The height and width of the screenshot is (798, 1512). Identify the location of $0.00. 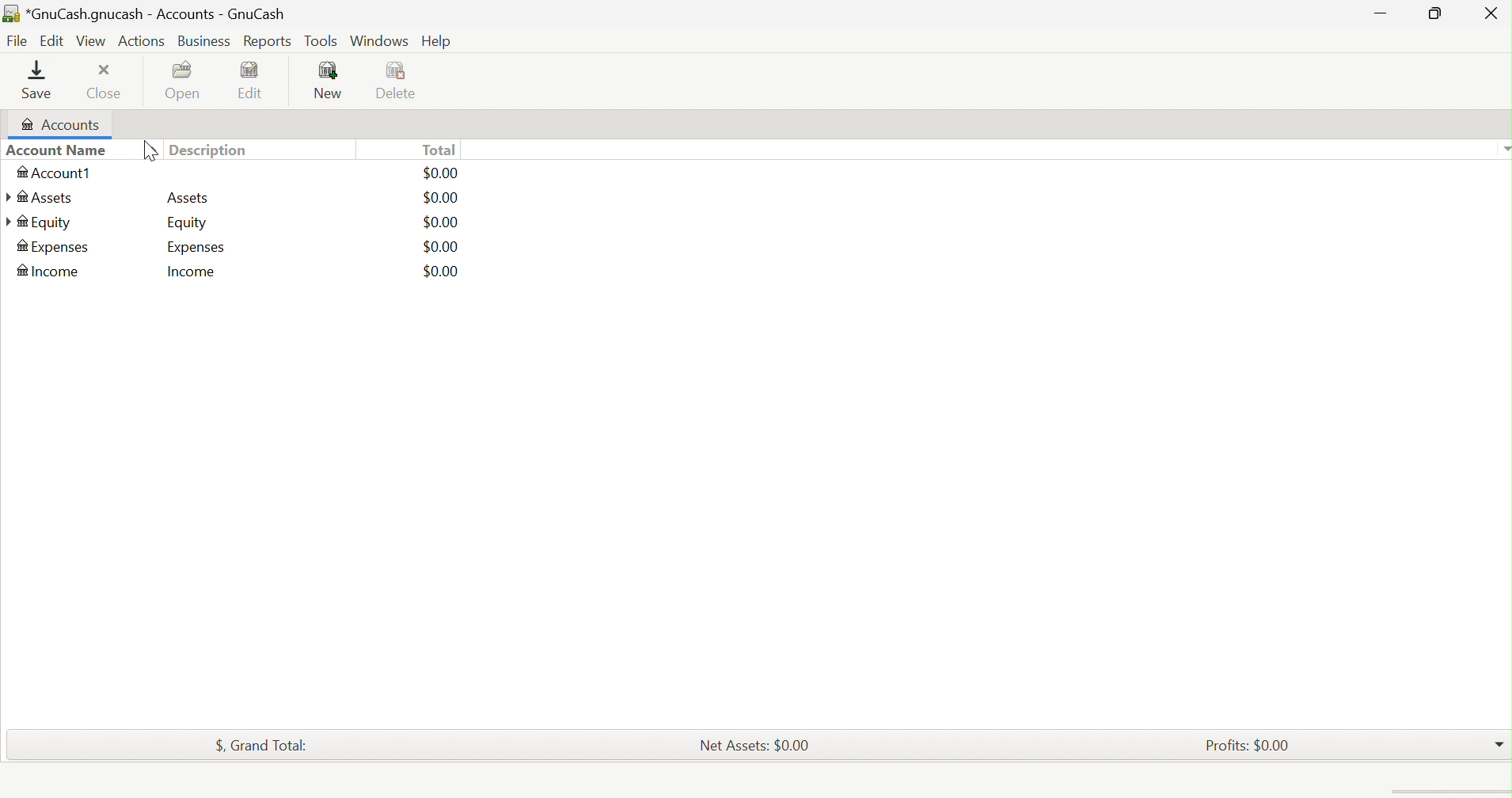
(427, 269).